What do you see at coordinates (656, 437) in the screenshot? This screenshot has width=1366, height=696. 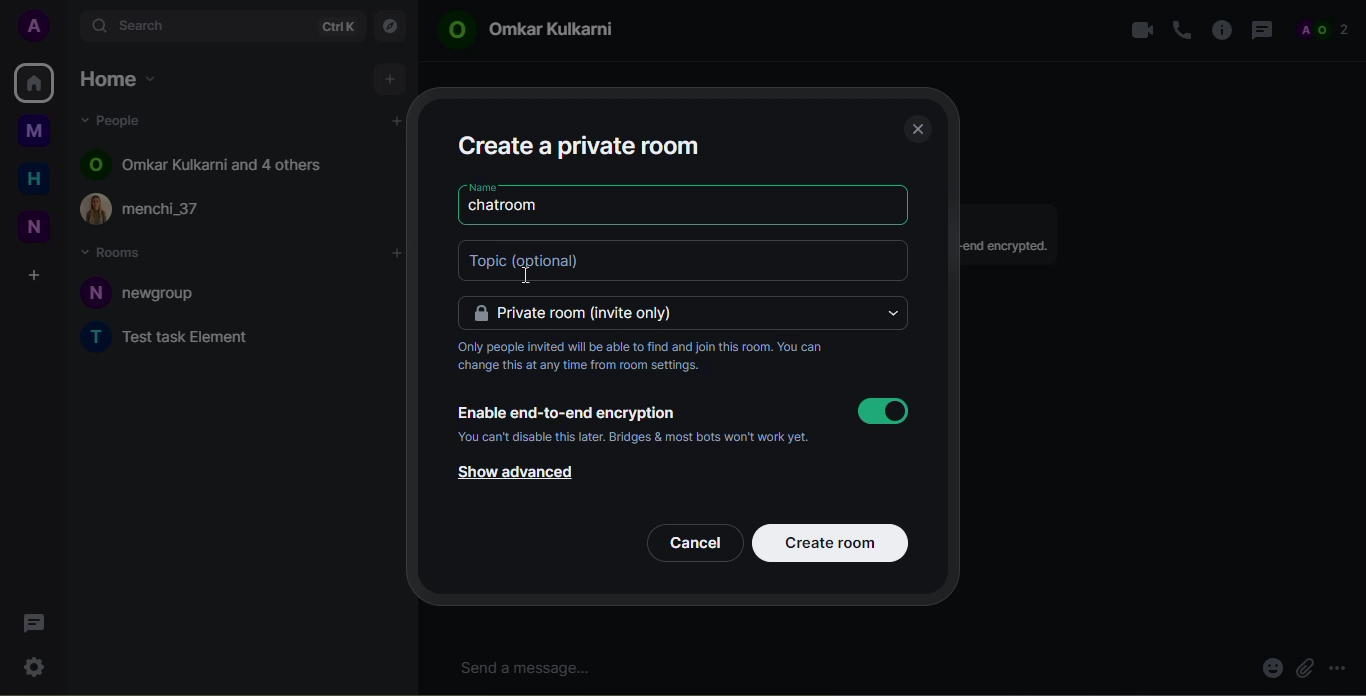 I see `‘You can't disable this later. Bridges & most bots won't work yet.` at bounding box center [656, 437].